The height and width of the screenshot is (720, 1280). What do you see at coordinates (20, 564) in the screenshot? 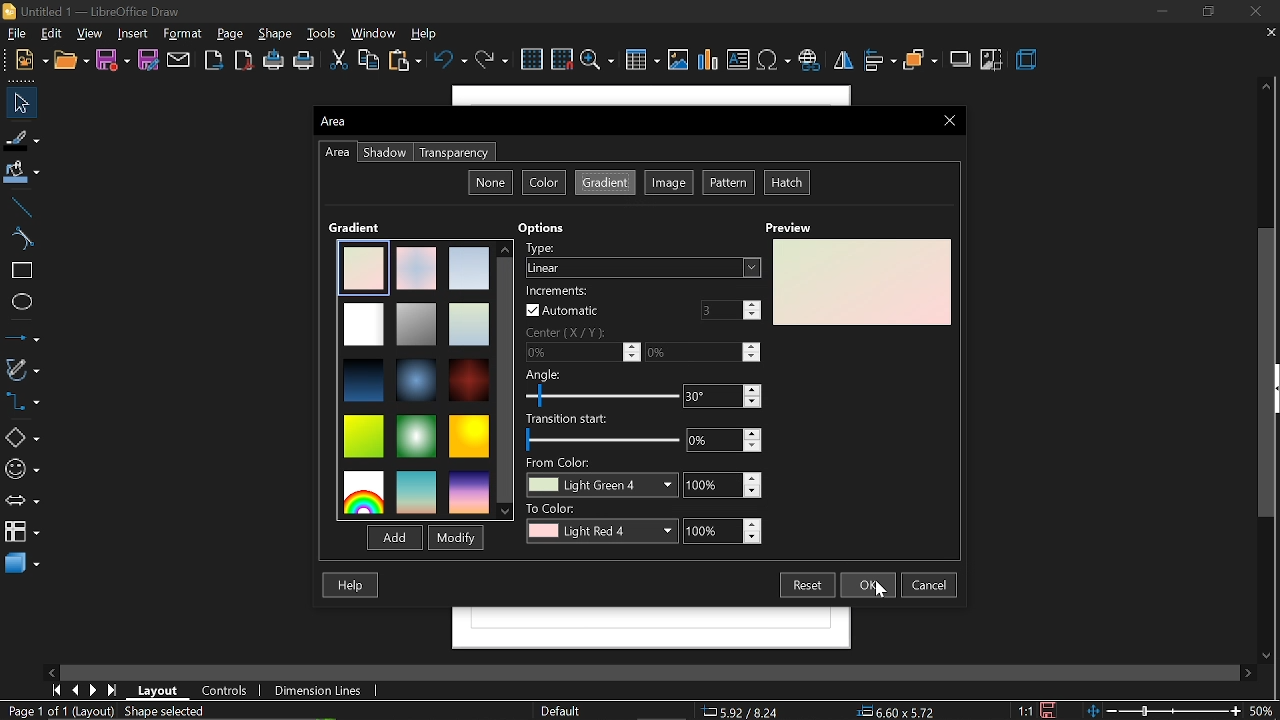
I see `3d shapes` at bounding box center [20, 564].